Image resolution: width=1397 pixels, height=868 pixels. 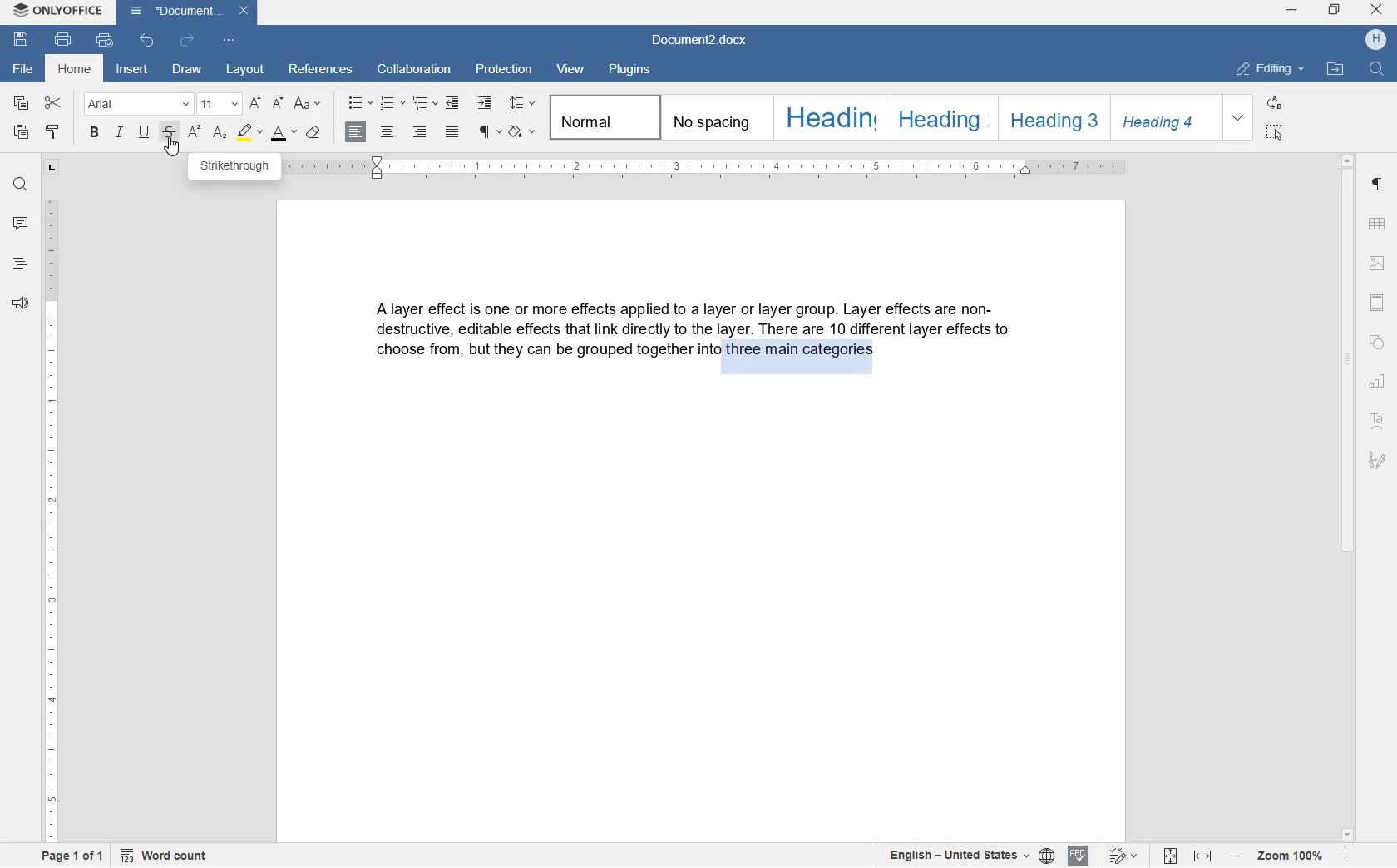 What do you see at coordinates (1379, 303) in the screenshot?
I see `header and footer` at bounding box center [1379, 303].